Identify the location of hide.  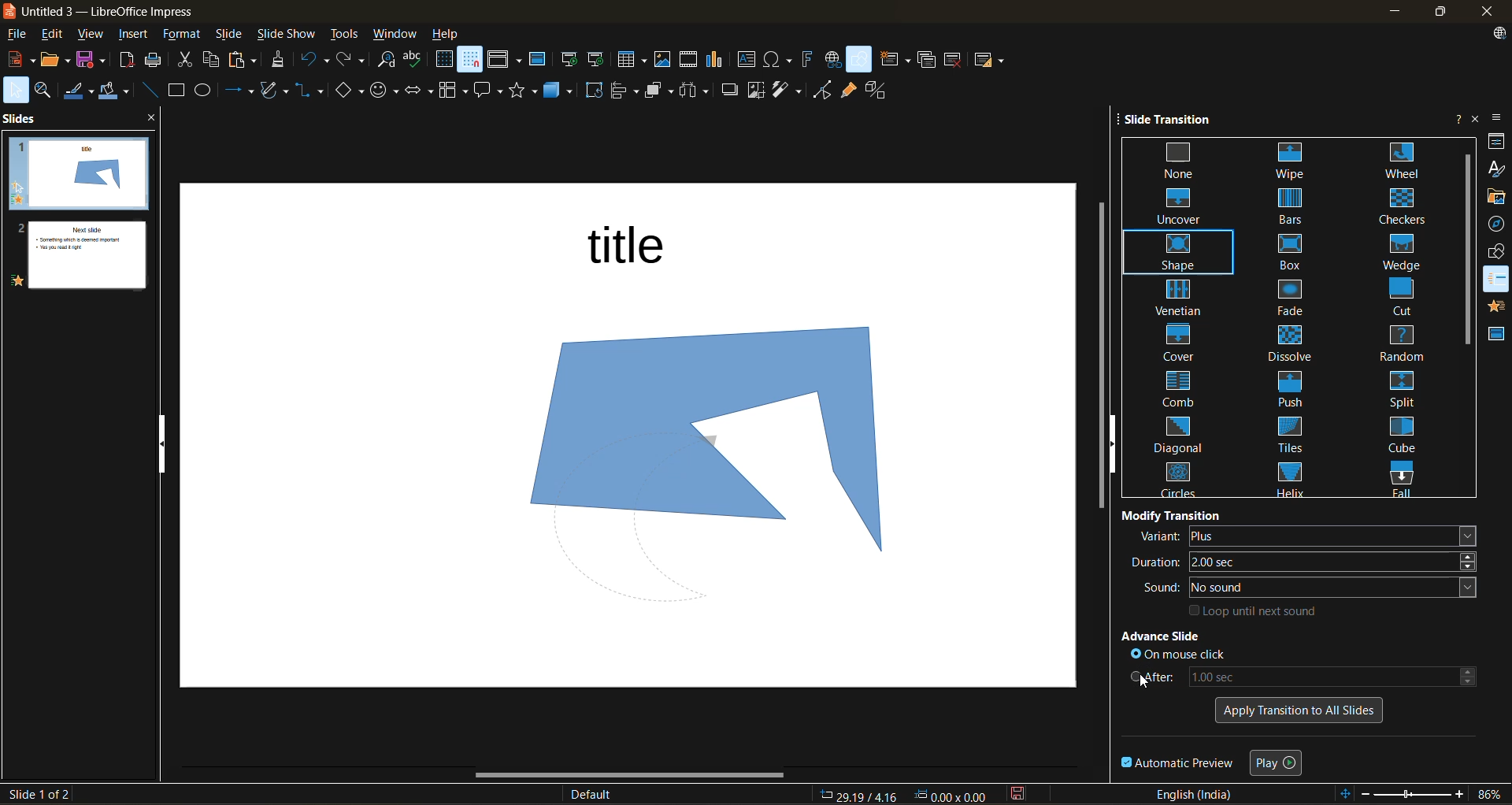
(166, 446).